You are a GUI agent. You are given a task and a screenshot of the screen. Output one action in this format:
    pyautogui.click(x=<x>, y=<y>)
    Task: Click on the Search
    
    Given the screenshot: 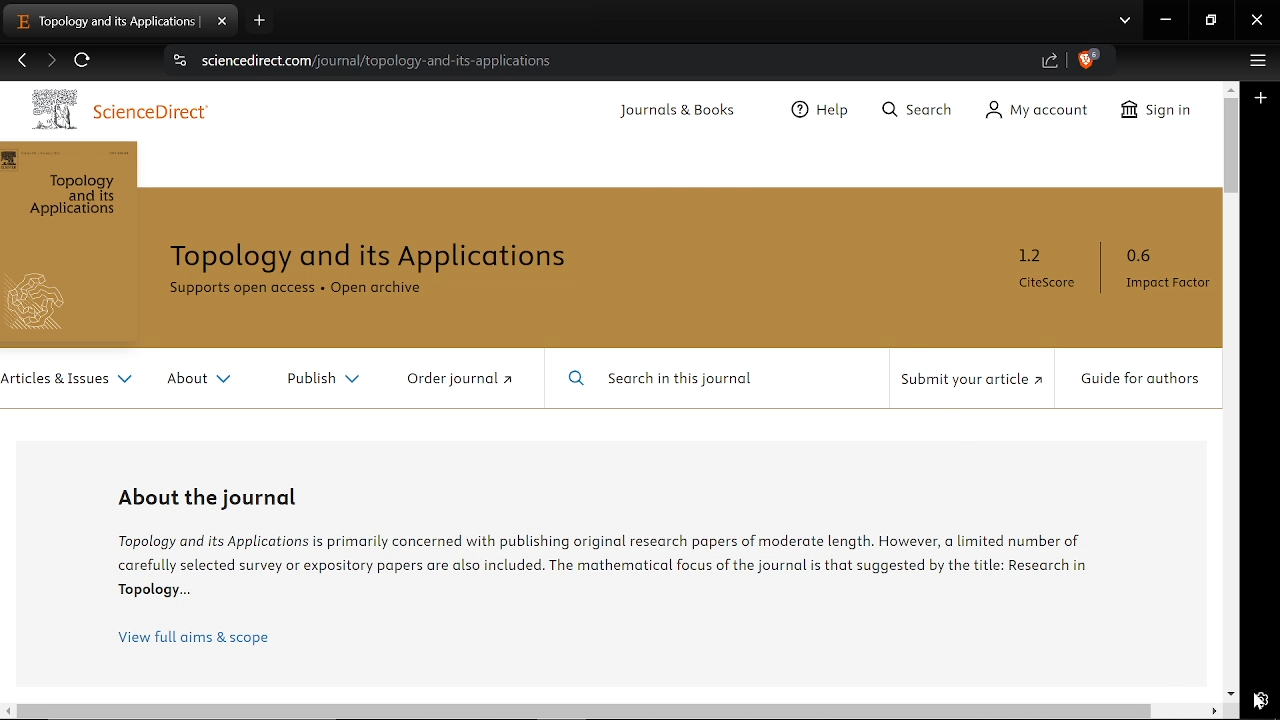 What is the action you would take?
    pyautogui.click(x=917, y=111)
    